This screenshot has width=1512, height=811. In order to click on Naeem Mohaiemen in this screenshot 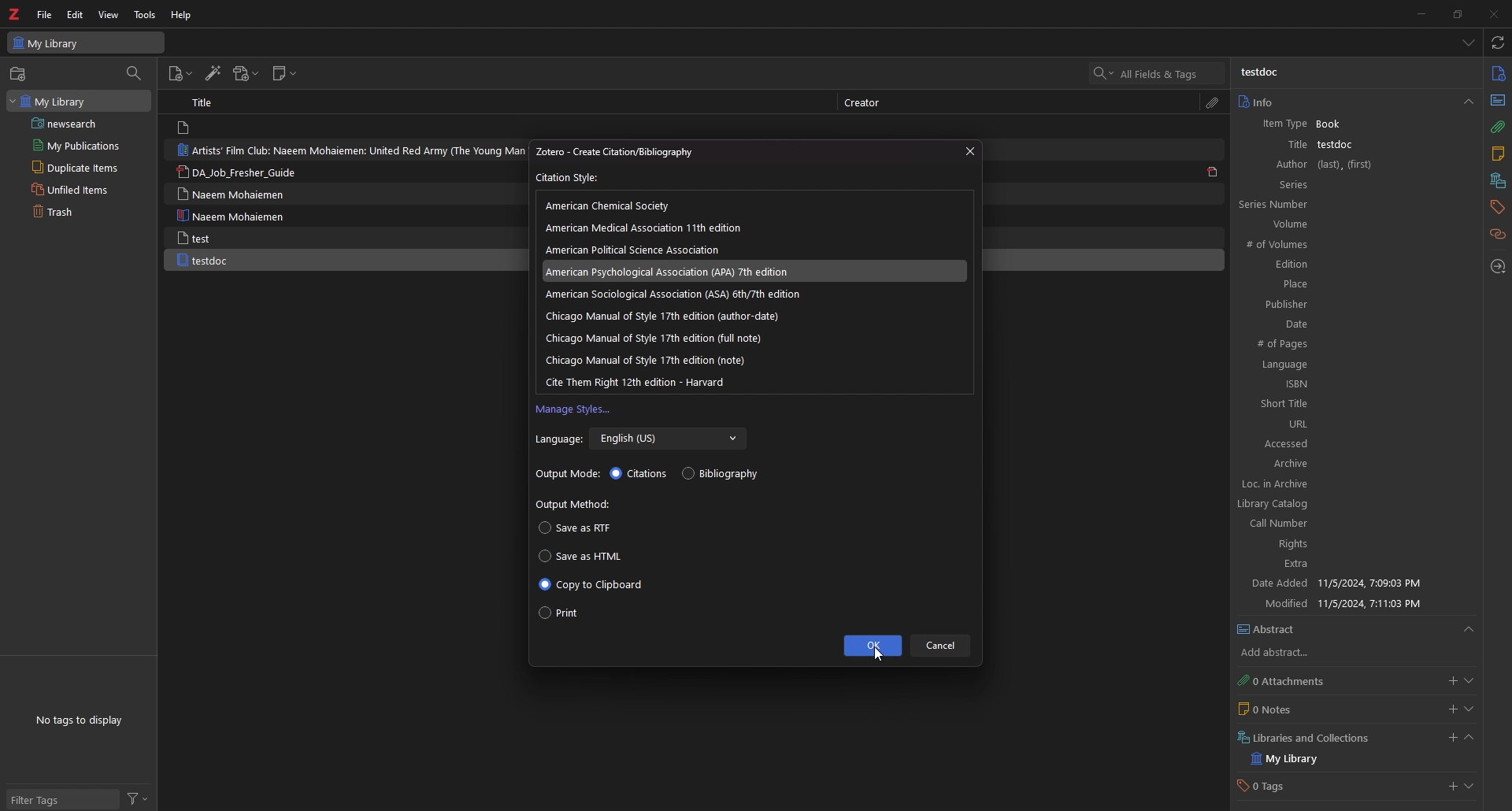, I will do `click(235, 216)`.